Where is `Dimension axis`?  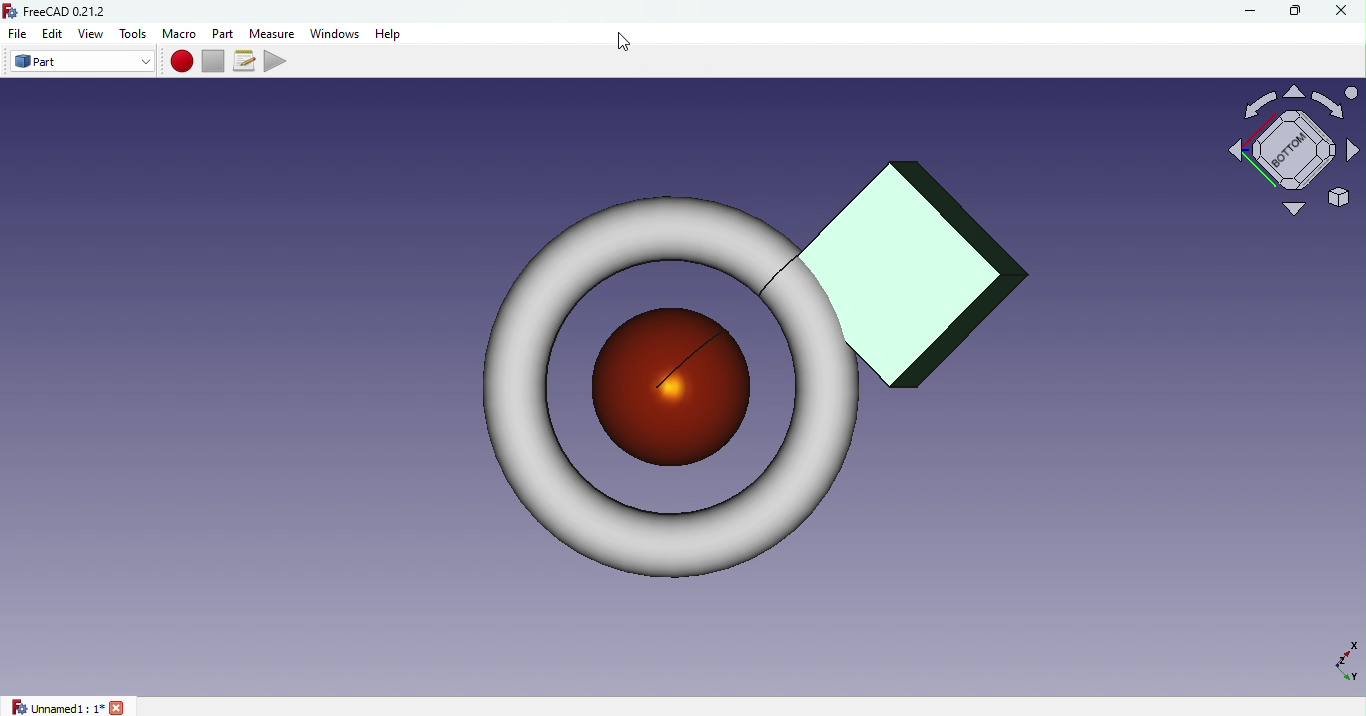 Dimension axis is located at coordinates (1333, 660).